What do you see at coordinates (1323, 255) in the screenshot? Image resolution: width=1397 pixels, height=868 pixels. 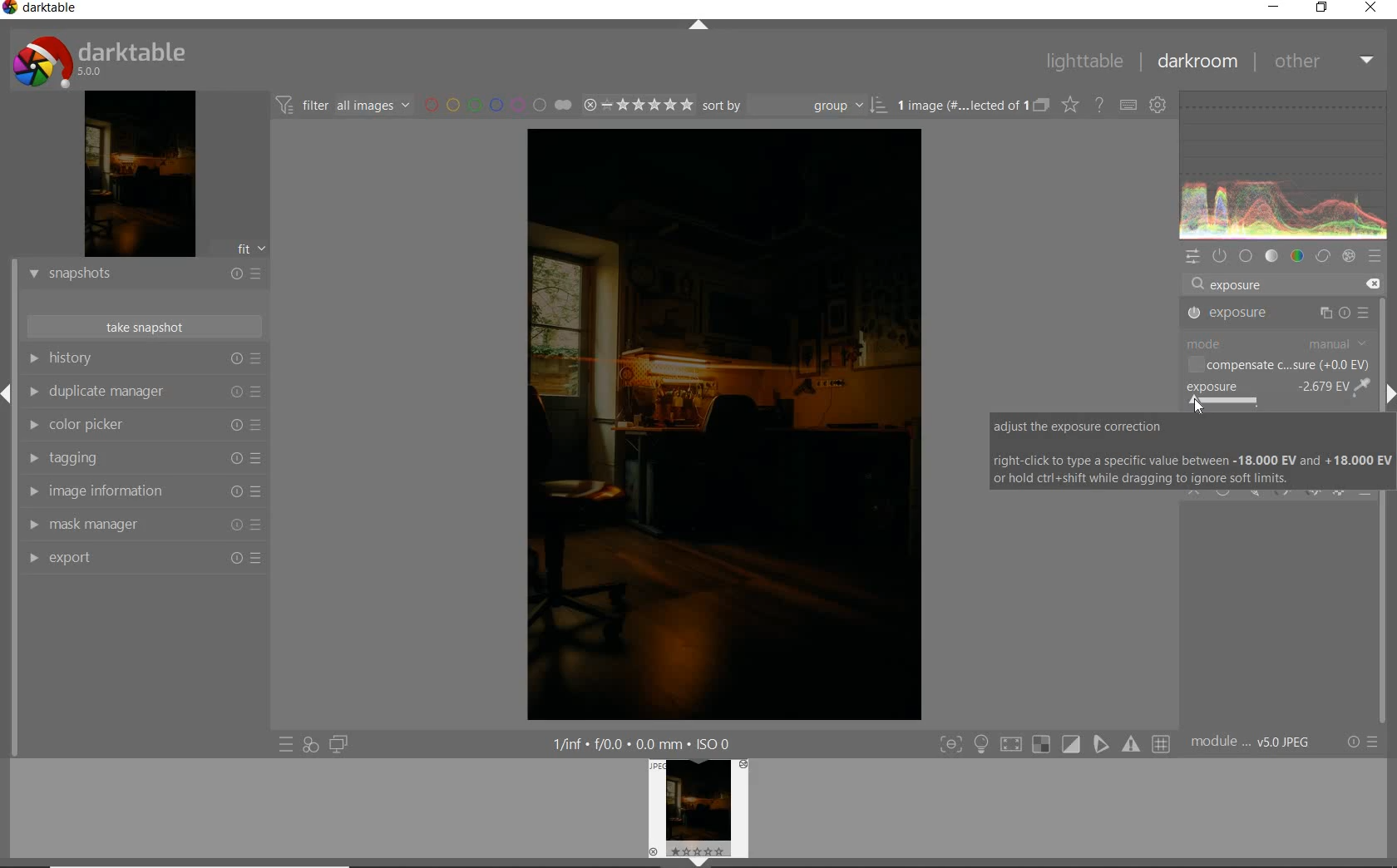 I see `correct` at bounding box center [1323, 255].